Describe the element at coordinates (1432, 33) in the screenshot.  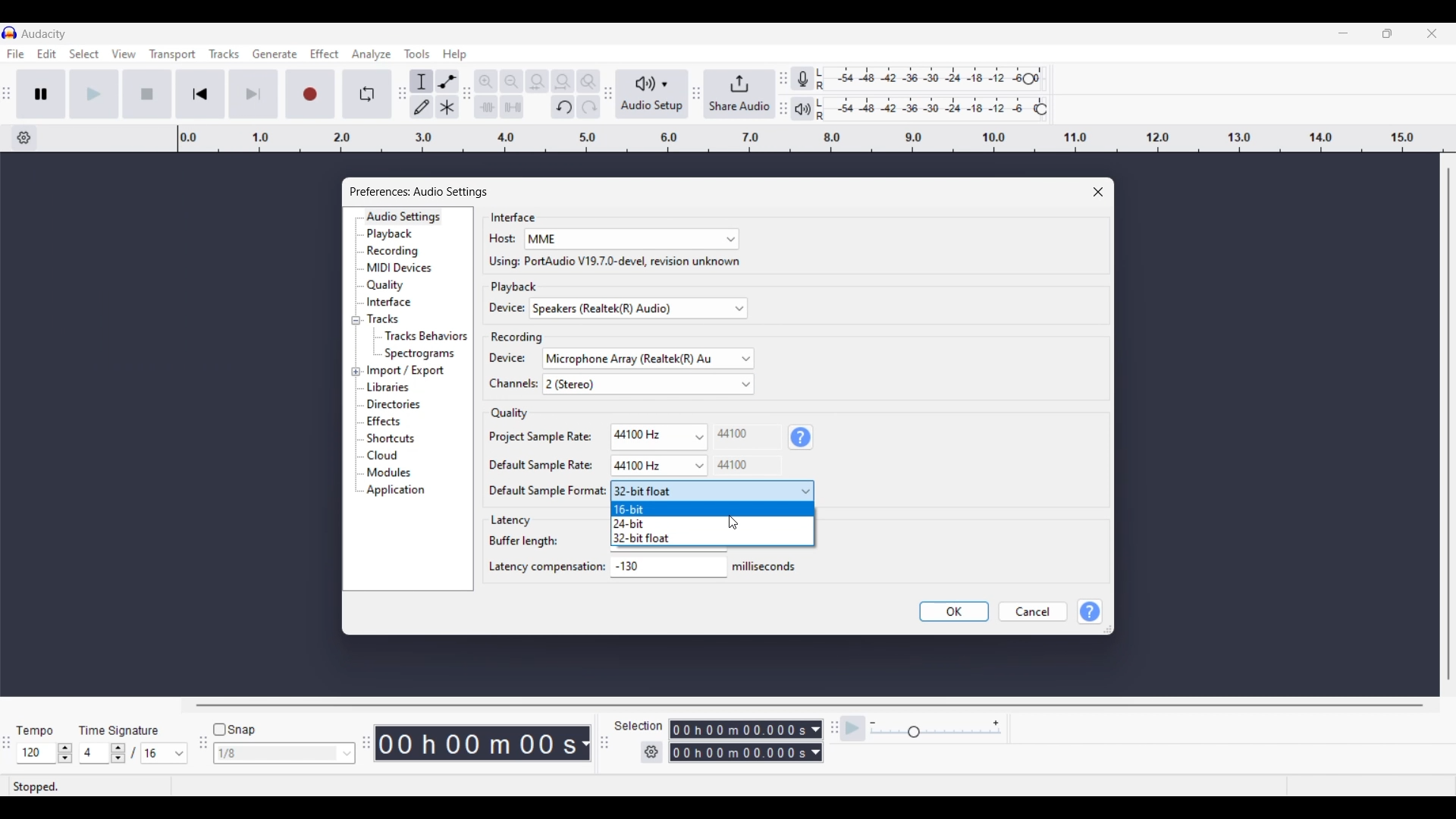
I see `Close interface` at that location.